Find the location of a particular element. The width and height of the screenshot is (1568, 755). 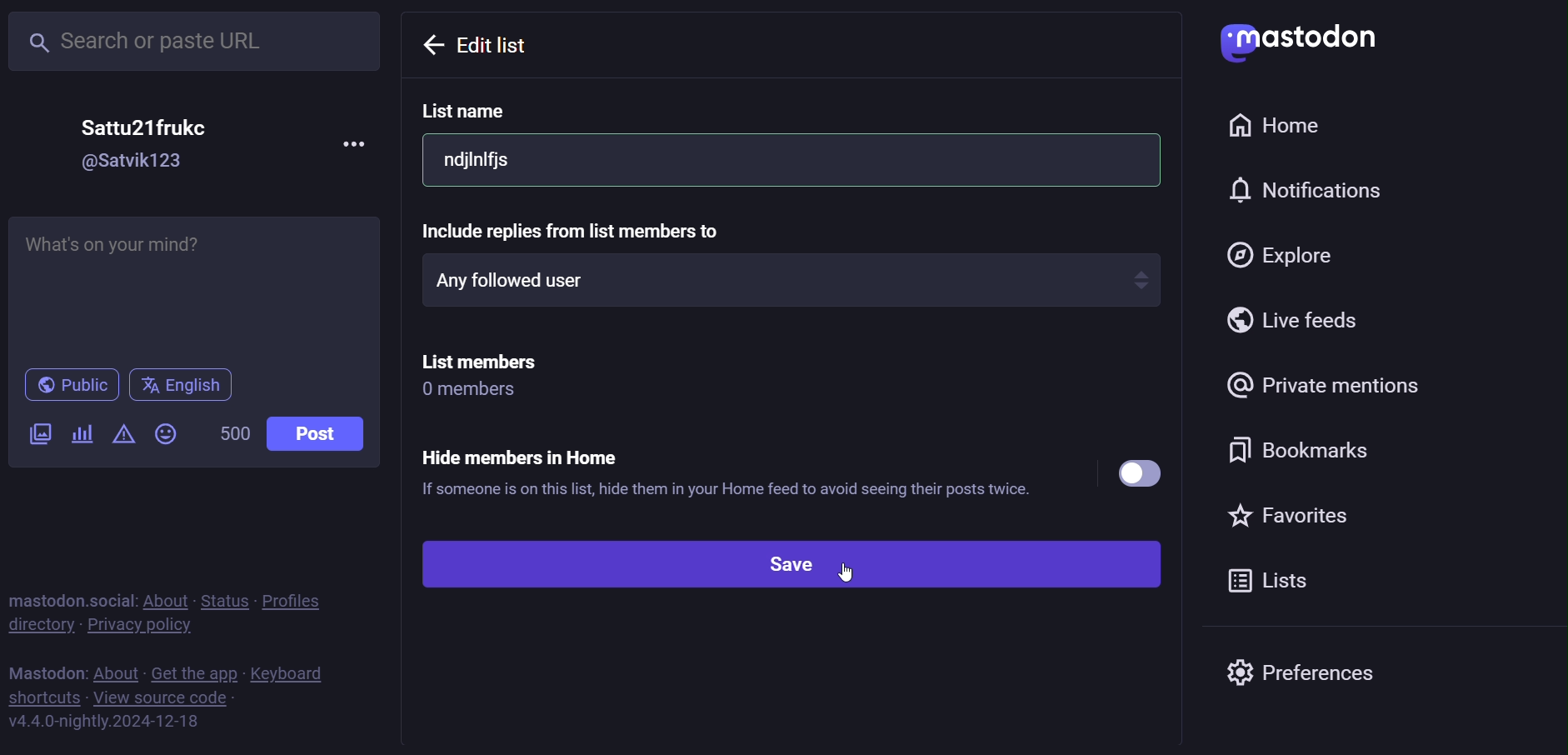

Whats on your mind is located at coordinates (194, 284).